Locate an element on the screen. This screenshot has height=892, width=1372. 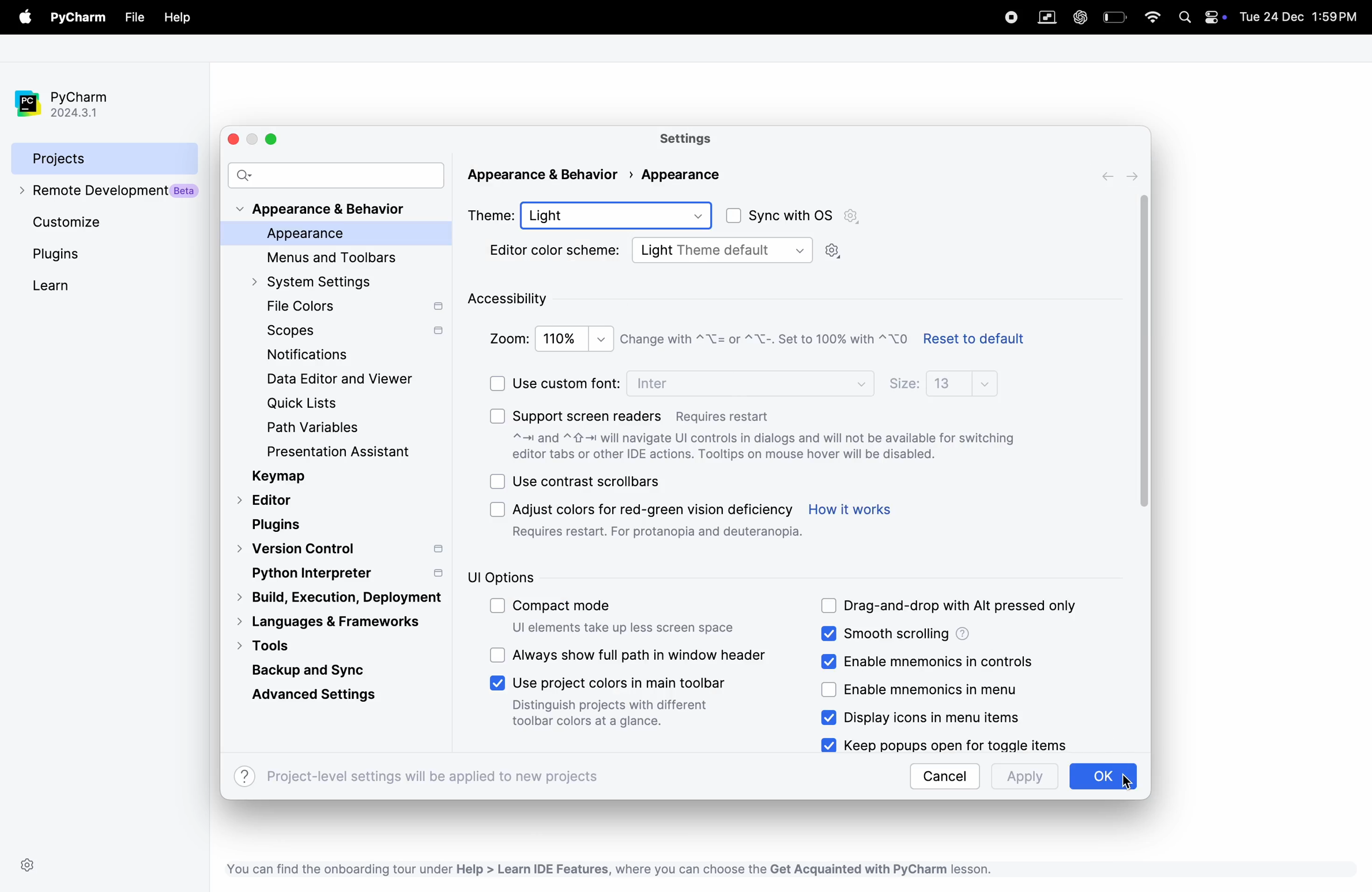
advance settings is located at coordinates (311, 697).